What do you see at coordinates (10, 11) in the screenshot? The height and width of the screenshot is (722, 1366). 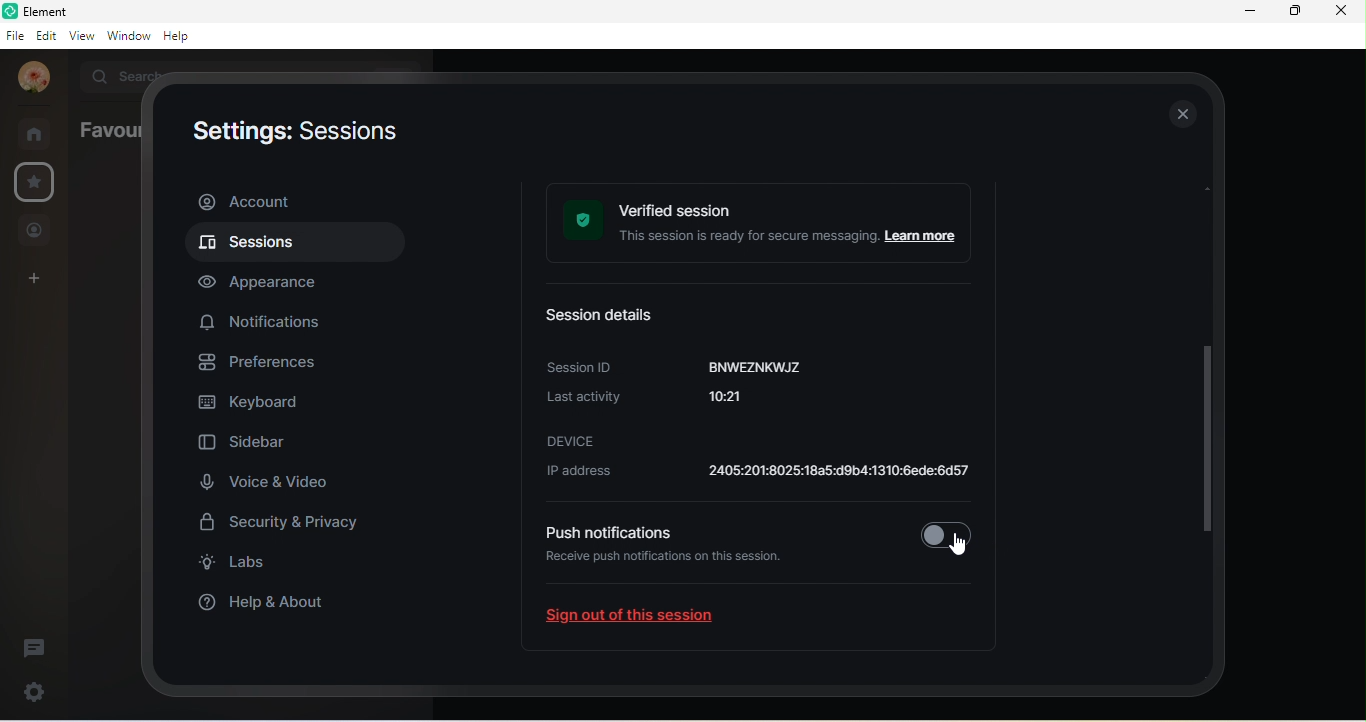 I see `element logo` at bounding box center [10, 11].